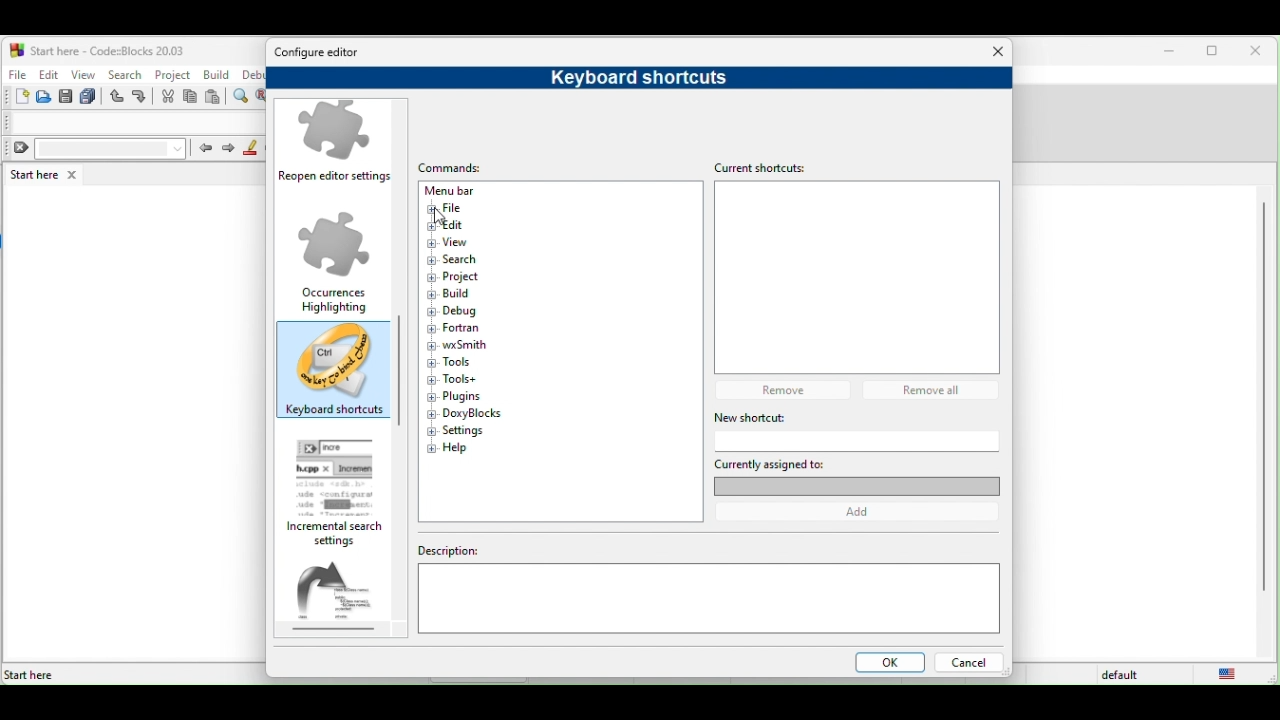 The image size is (1280, 720). Describe the element at coordinates (204, 147) in the screenshot. I see `prev` at that location.